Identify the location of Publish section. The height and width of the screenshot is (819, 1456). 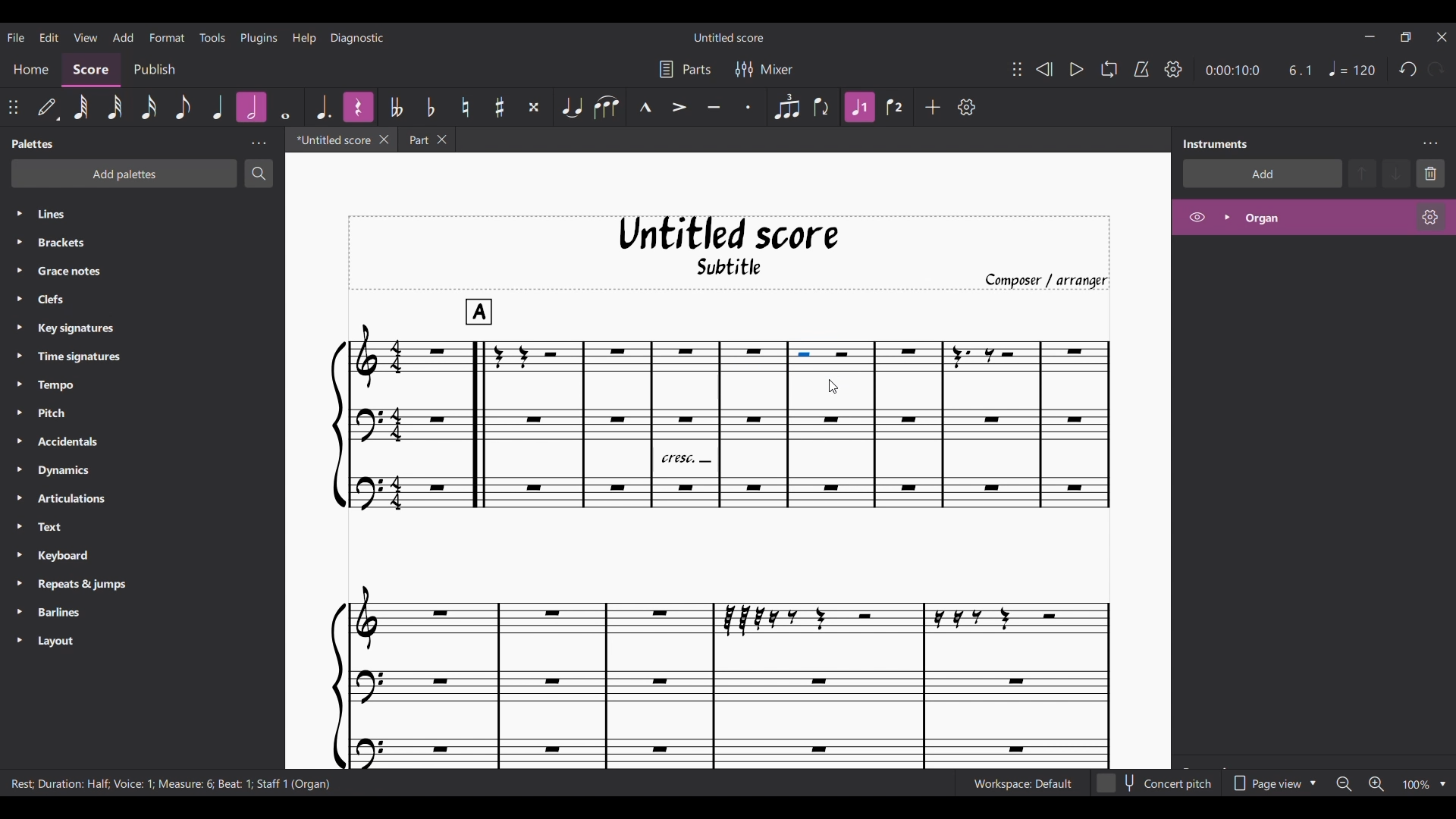
(154, 71).